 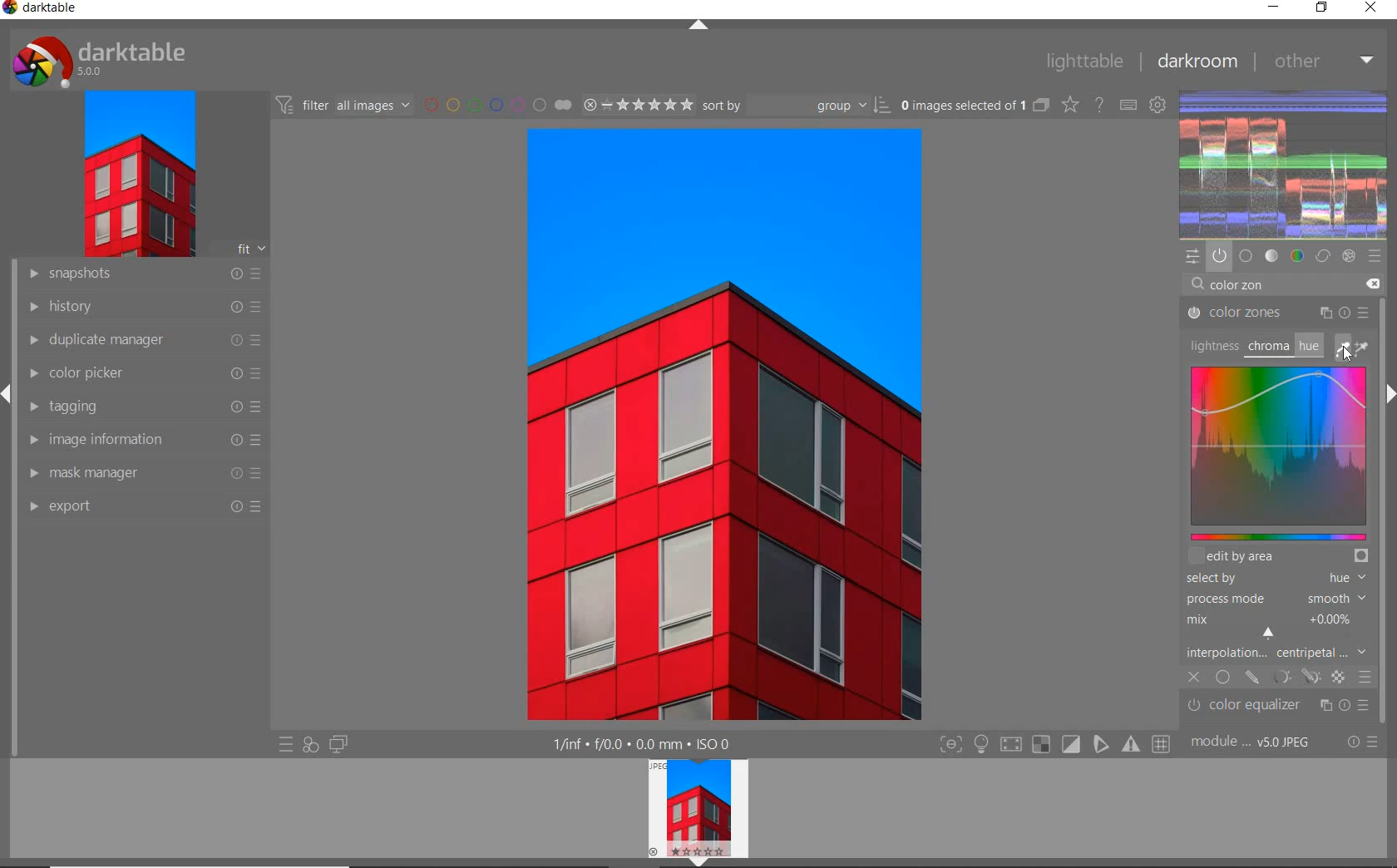 What do you see at coordinates (1276, 652) in the screenshot?
I see `INTERPOLATION` at bounding box center [1276, 652].